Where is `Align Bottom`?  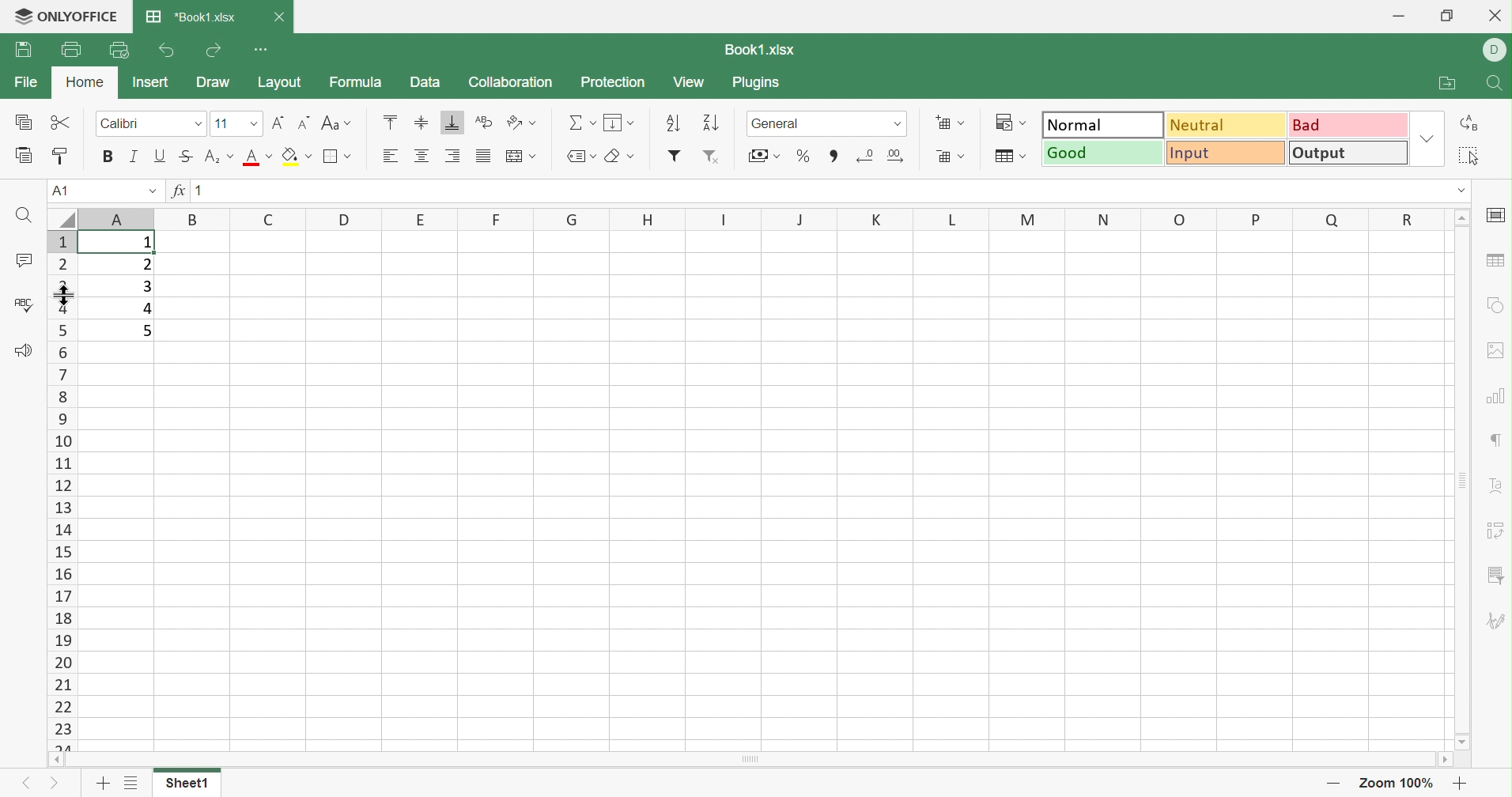 Align Bottom is located at coordinates (453, 123).